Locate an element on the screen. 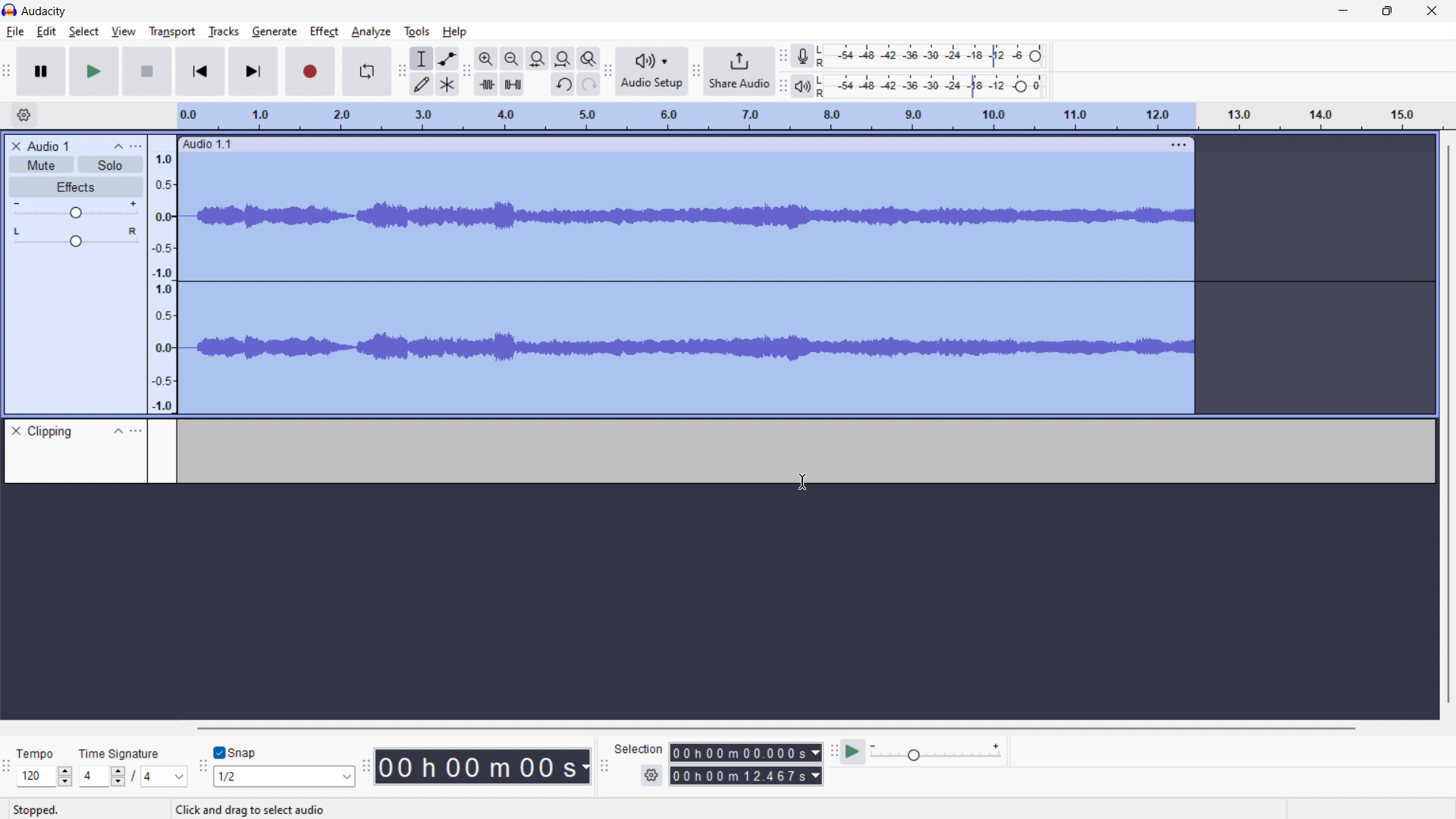 The width and height of the screenshot is (1456, 819). play at speed is located at coordinates (853, 752).